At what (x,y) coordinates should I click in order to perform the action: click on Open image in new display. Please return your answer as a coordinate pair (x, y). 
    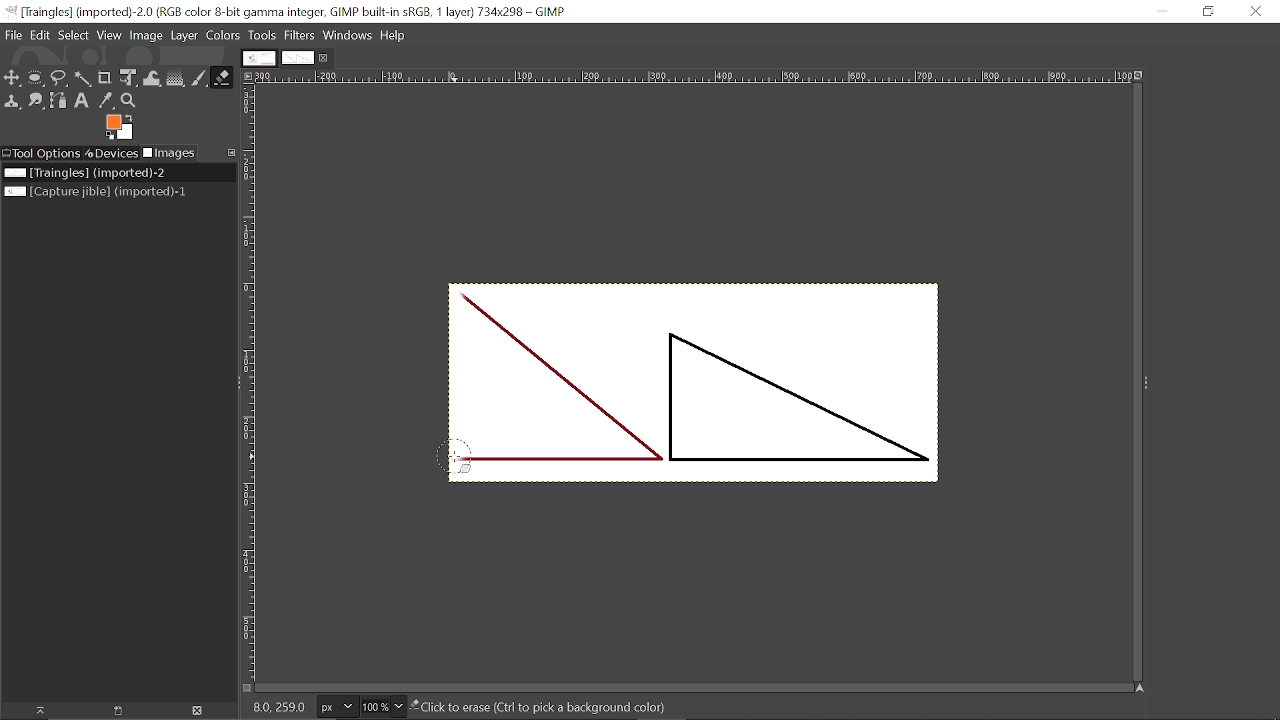
    Looking at the image, I should click on (115, 711).